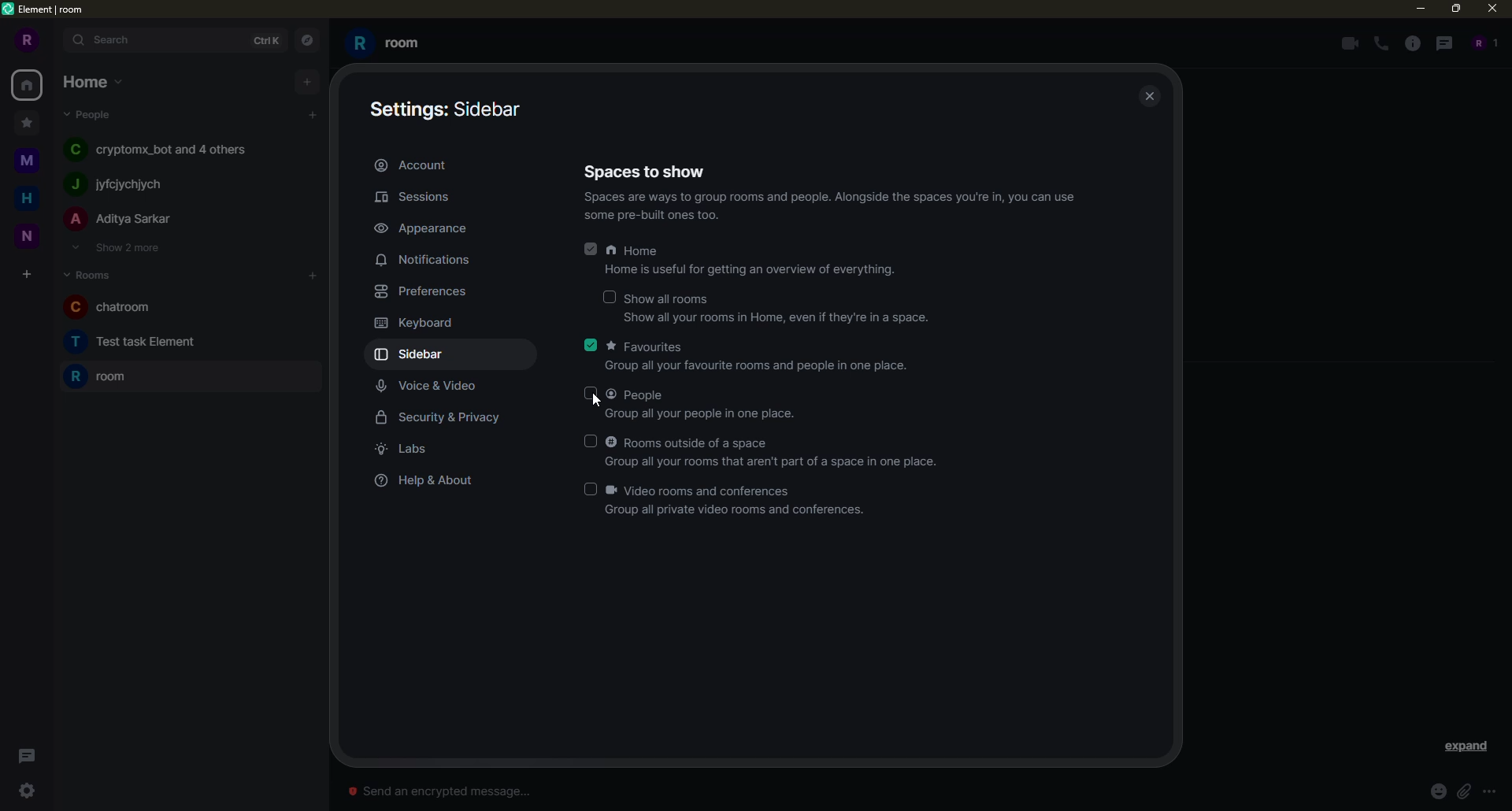 This screenshot has height=811, width=1512. Describe the element at coordinates (25, 753) in the screenshot. I see `threads` at that location.